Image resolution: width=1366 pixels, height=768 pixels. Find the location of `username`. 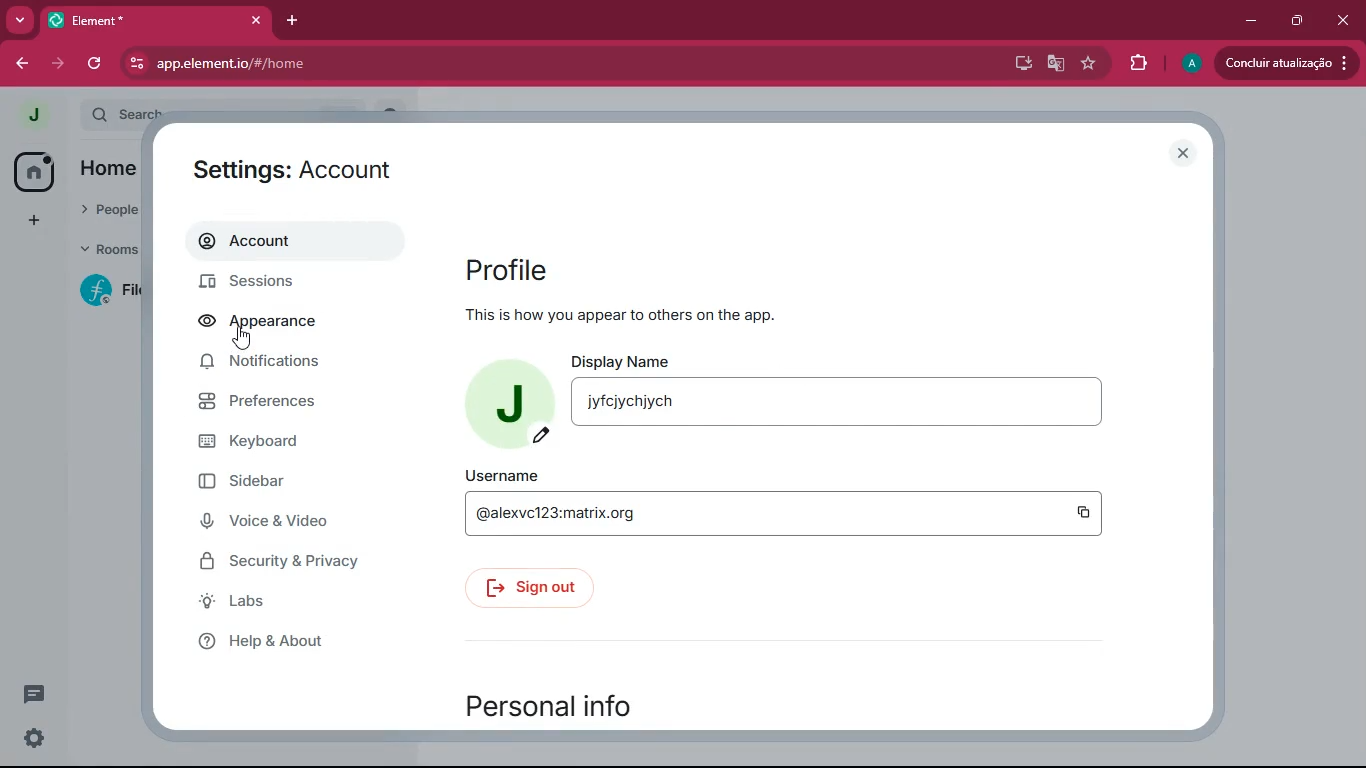

username is located at coordinates (785, 513).